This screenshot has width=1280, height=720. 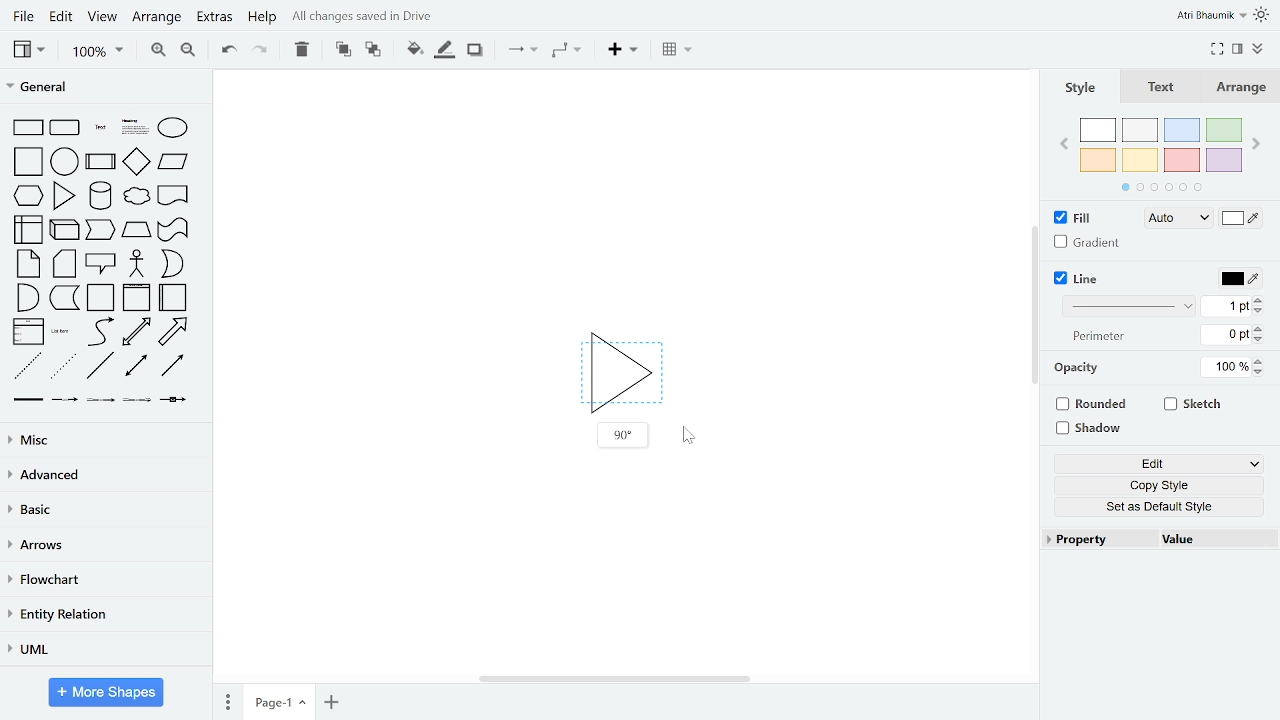 I want to click on view, so click(x=104, y=17).